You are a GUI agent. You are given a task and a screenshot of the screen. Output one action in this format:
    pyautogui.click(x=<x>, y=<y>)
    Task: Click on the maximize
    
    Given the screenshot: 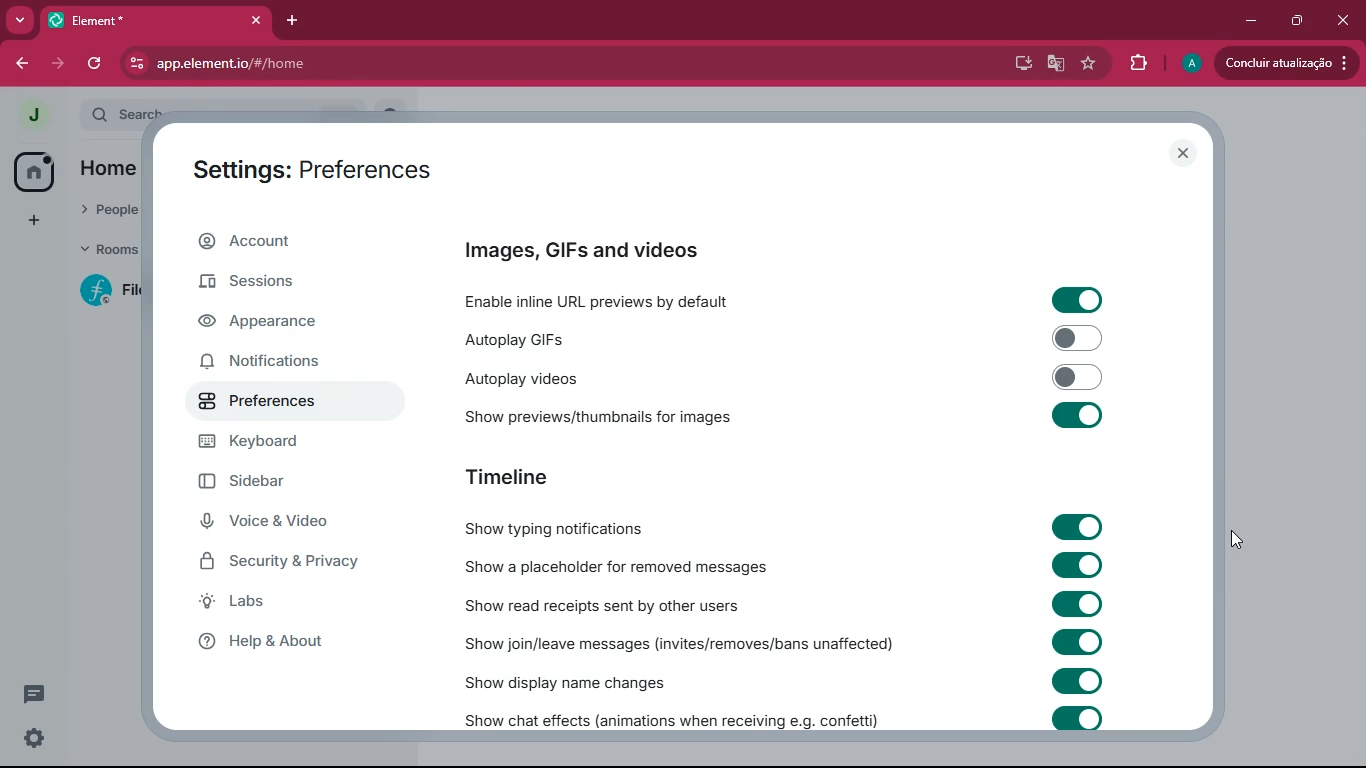 What is the action you would take?
    pyautogui.click(x=1297, y=20)
    